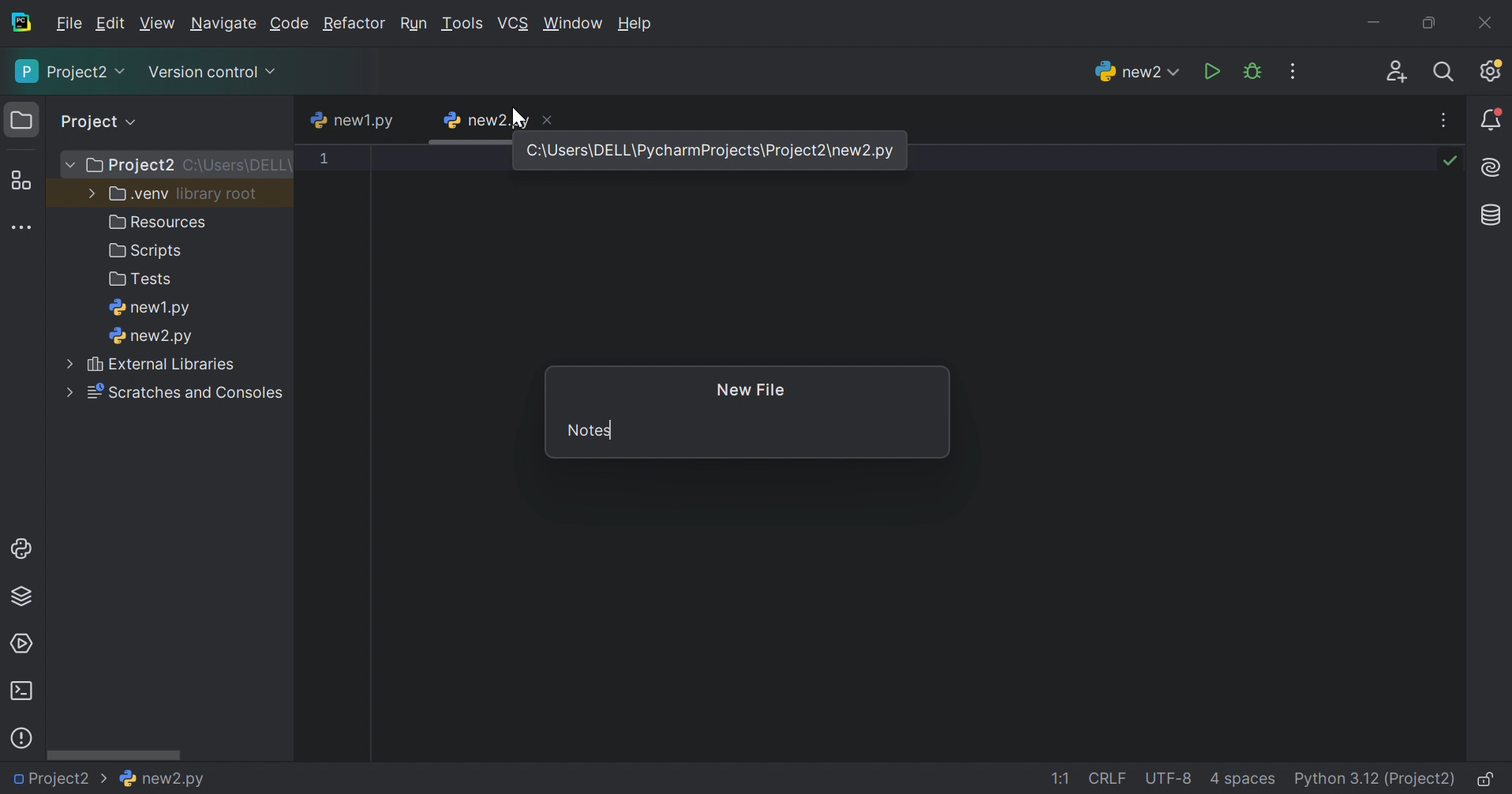  I want to click on Navigate, so click(223, 25).